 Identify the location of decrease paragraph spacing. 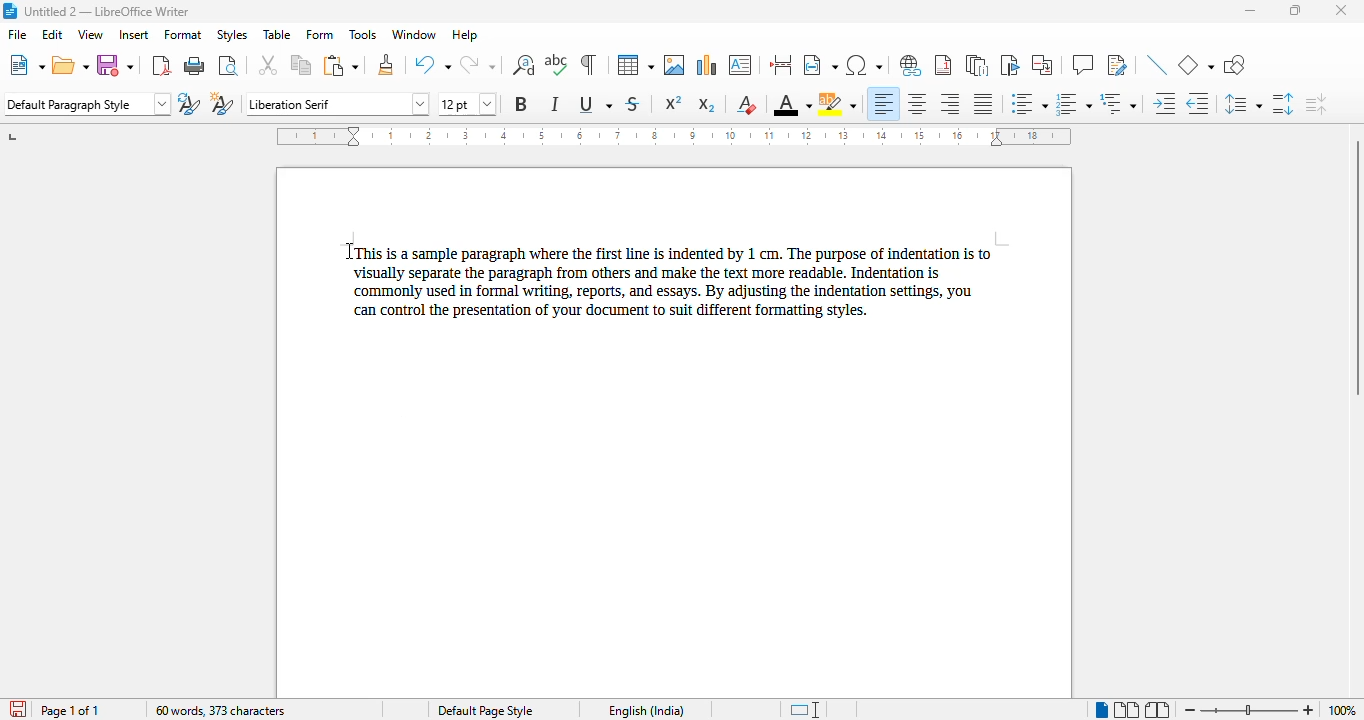
(1315, 103).